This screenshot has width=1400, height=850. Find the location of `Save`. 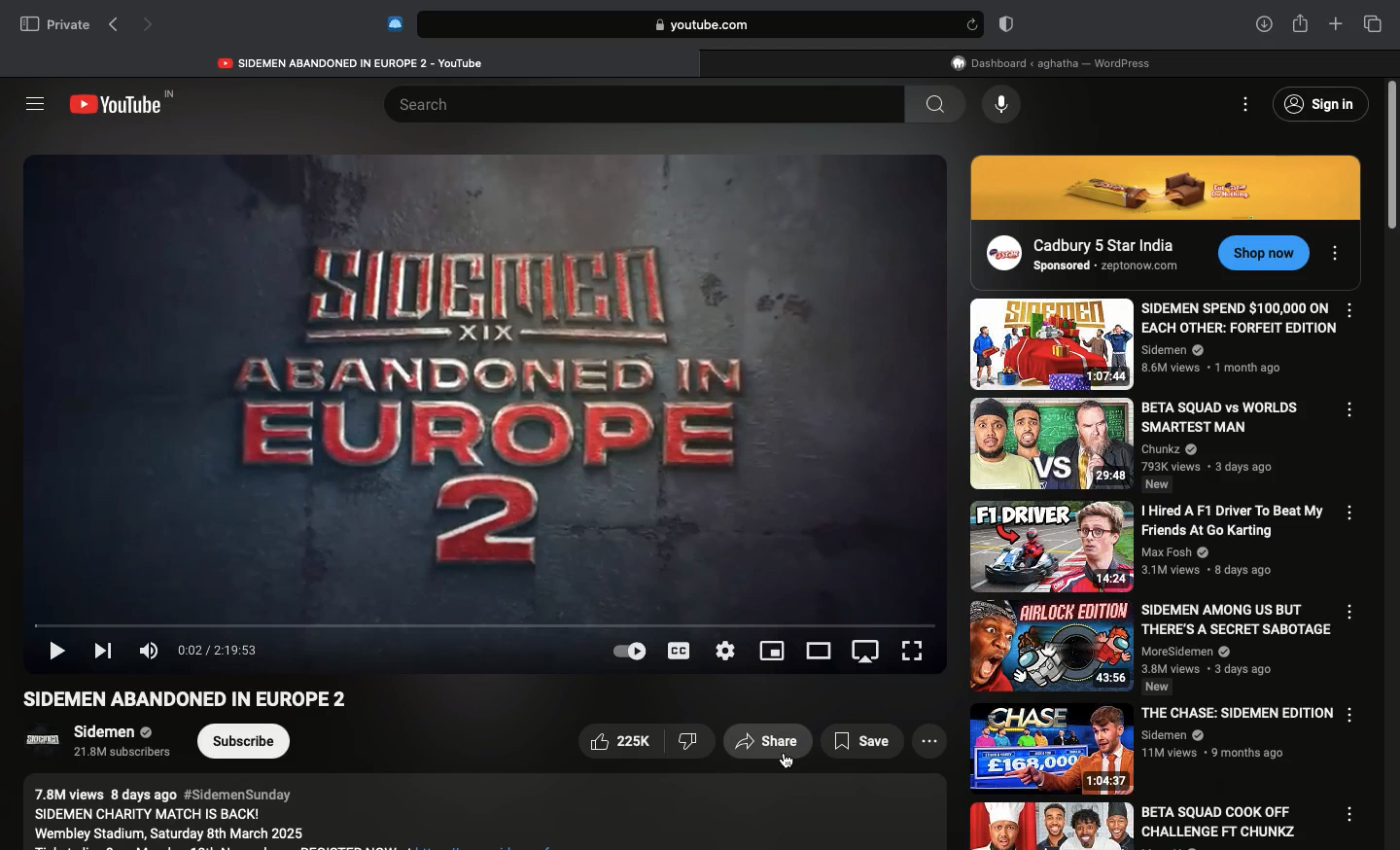

Save is located at coordinates (864, 742).